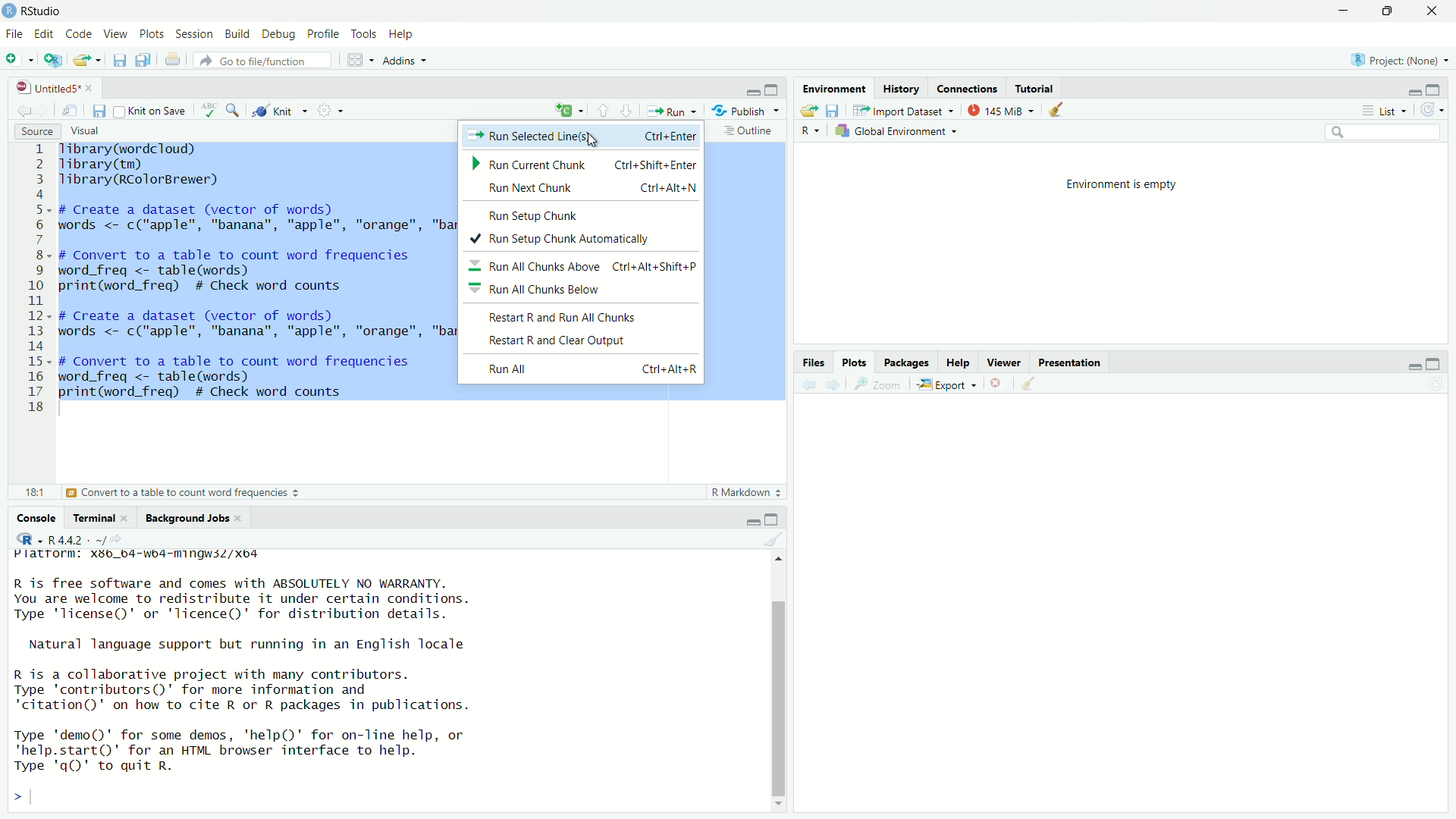 The image size is (1456, 819). Describe the element at coordinates (780, 682) in the screenshot. I see `Scrollbar` at that location.